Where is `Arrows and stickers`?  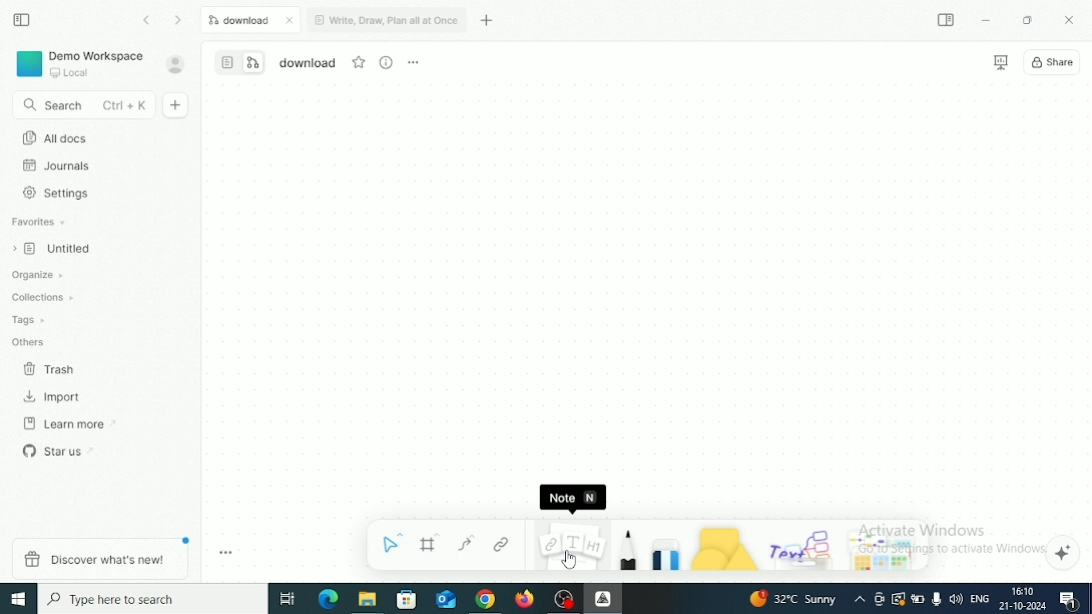
Arrows and stickers is located at coordinates (885, 549).